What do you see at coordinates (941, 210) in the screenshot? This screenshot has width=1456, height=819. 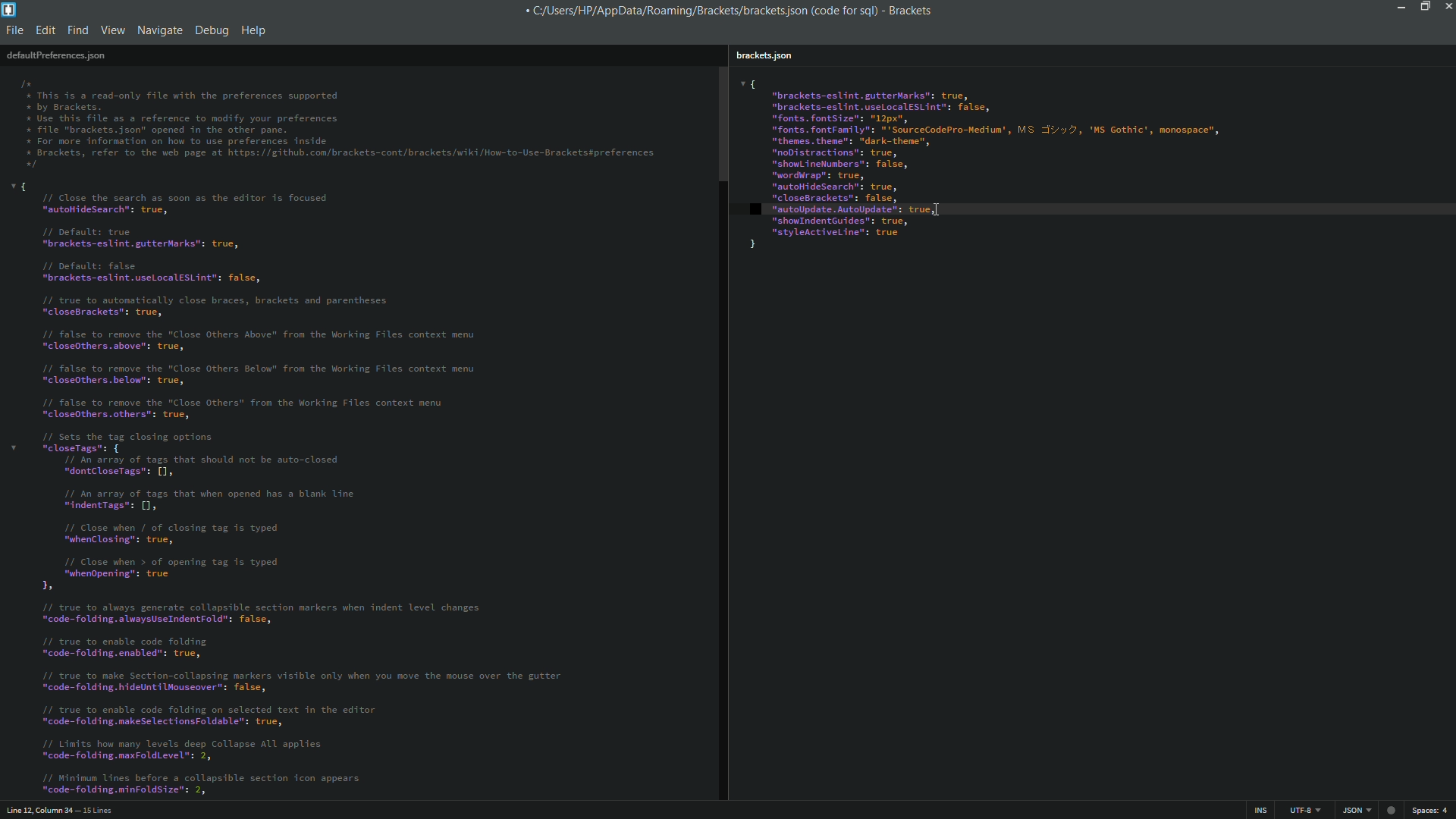 I see `cursor` at bounding box center [941, 210].